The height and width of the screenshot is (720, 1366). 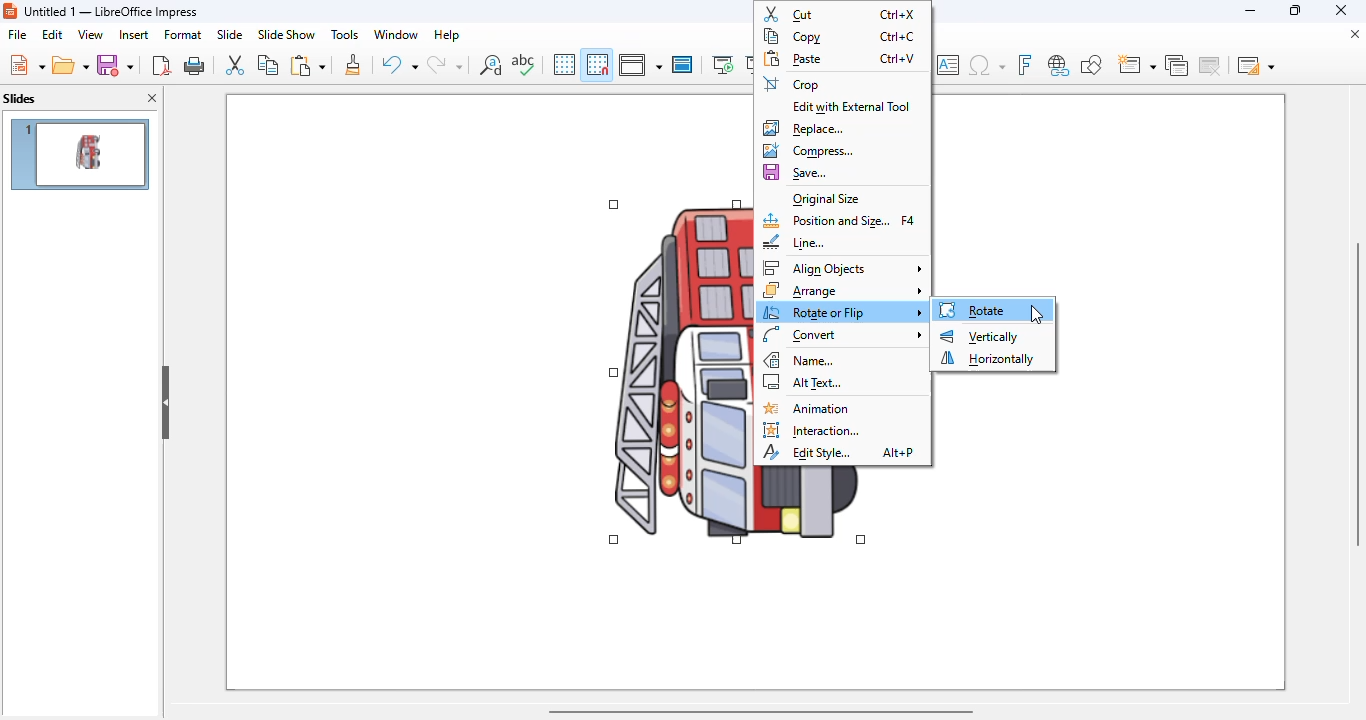 I want to click on interaction, so click(x=812, y=430).